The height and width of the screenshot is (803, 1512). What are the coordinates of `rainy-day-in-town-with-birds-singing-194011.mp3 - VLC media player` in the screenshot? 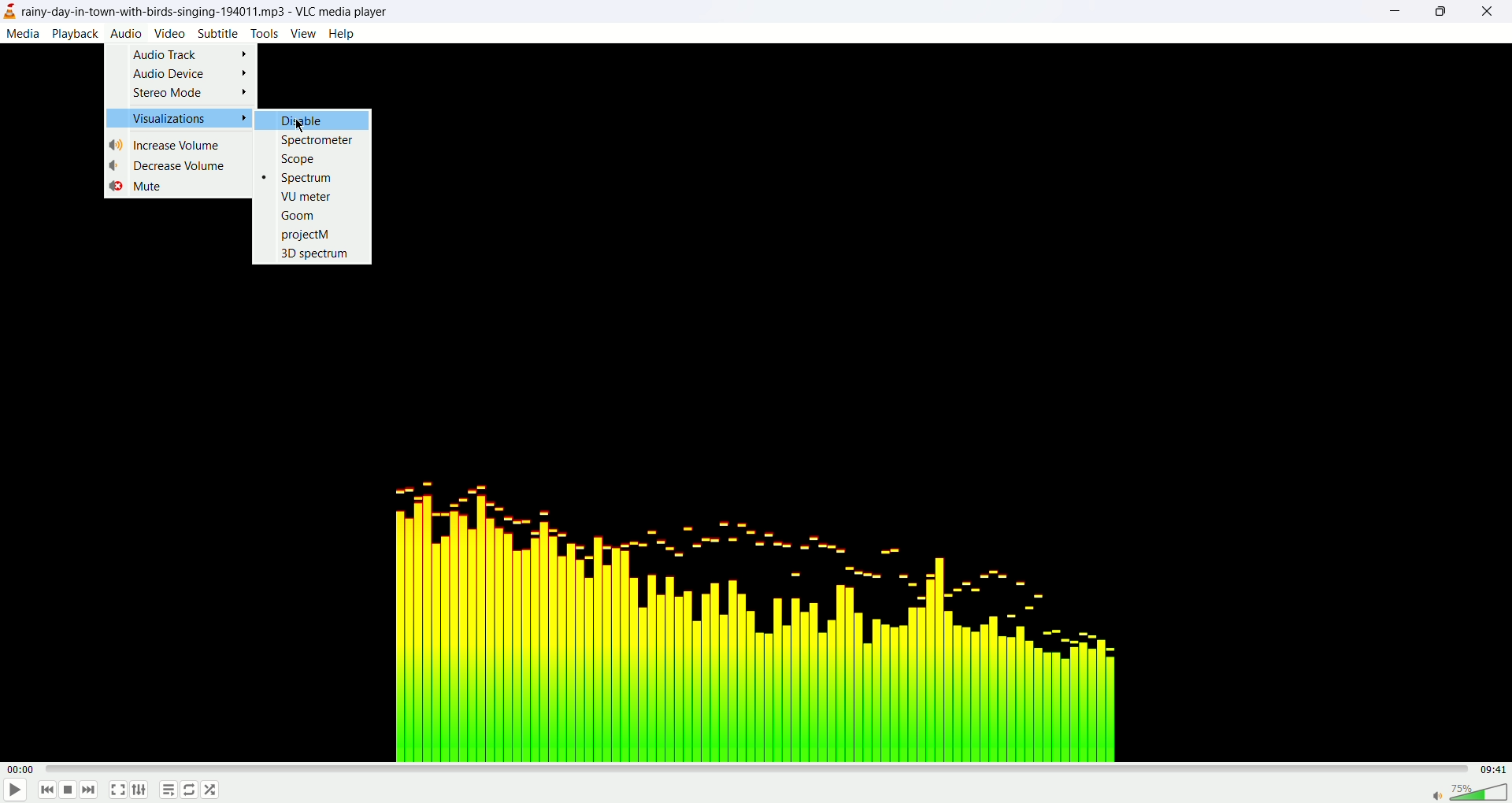 It's located at (215, 10).